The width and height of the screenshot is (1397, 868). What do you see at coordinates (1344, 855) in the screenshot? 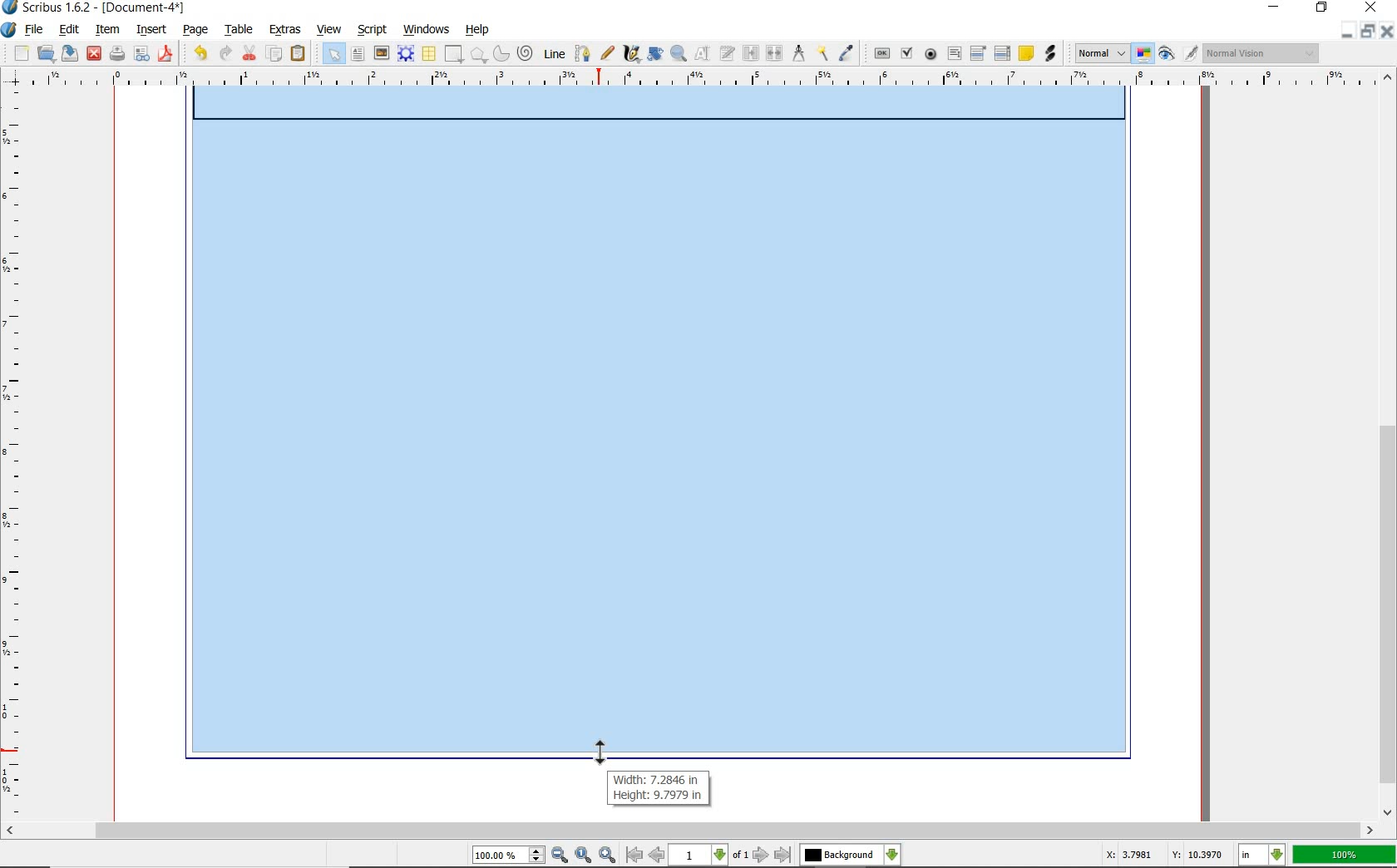
I see `100%` at bounding box center [1344, 855].